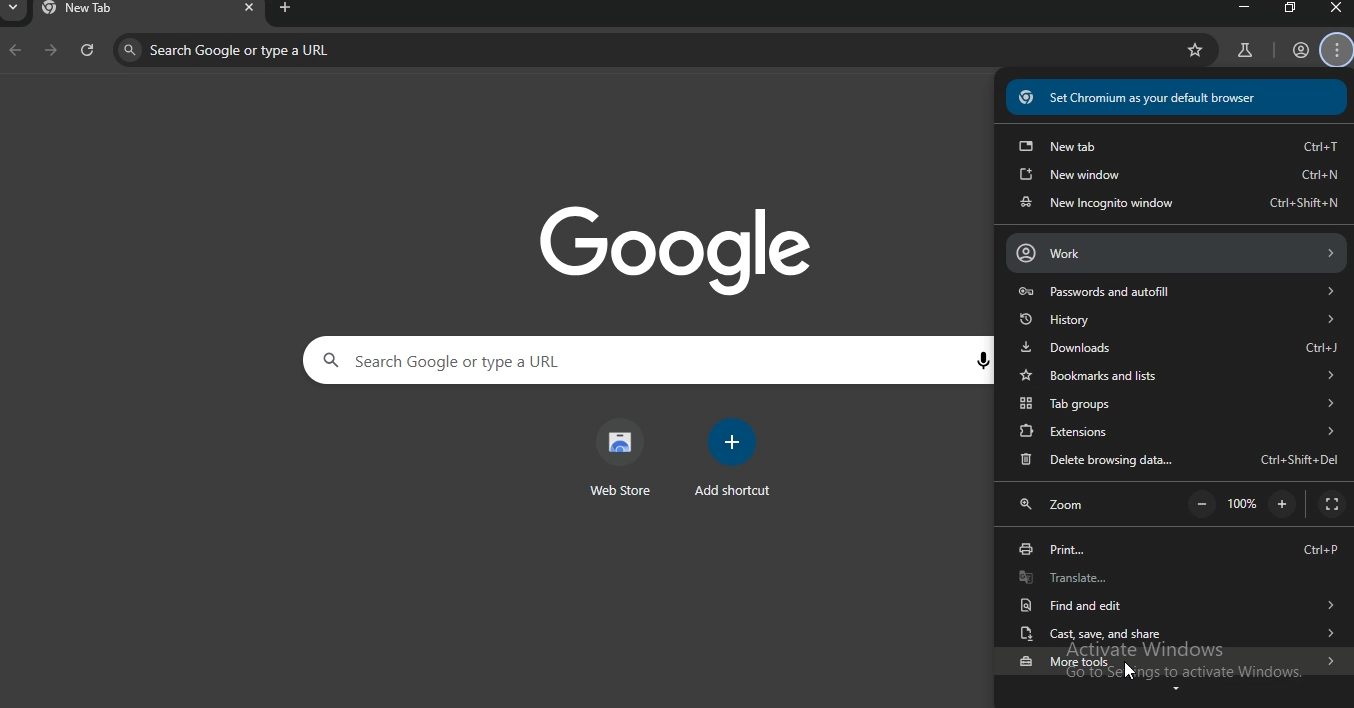  What do you see at coordinates (377, 51) in the screenshot?
I see `search google or type a URL` at bounding box center [377, 51].